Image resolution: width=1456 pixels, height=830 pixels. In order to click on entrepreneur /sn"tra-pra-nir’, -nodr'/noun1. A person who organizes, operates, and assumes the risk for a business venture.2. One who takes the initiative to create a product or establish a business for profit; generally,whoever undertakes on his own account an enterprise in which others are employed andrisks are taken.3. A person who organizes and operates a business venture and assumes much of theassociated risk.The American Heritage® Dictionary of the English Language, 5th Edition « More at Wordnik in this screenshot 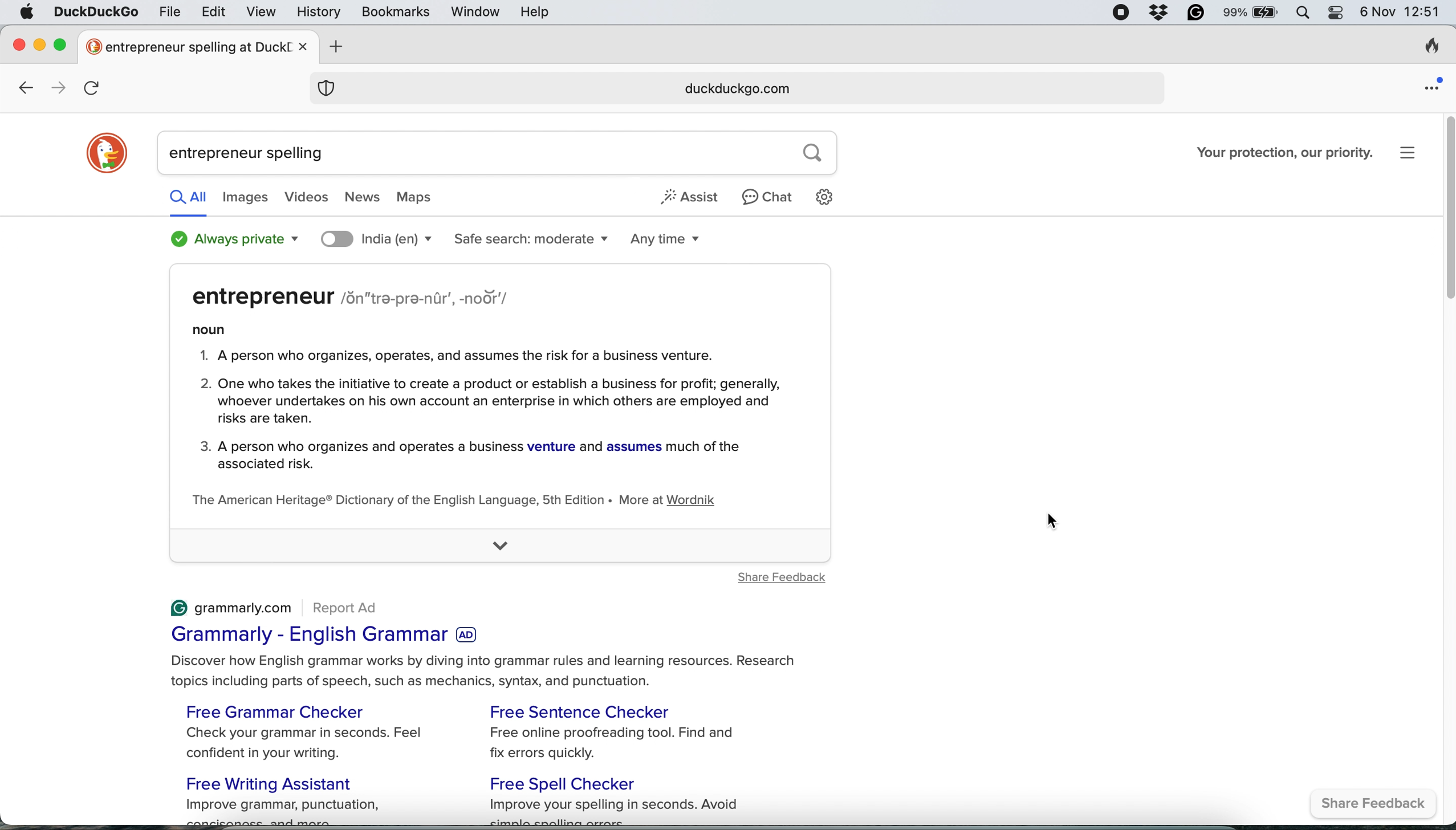, I will do `click(487, 397)`.